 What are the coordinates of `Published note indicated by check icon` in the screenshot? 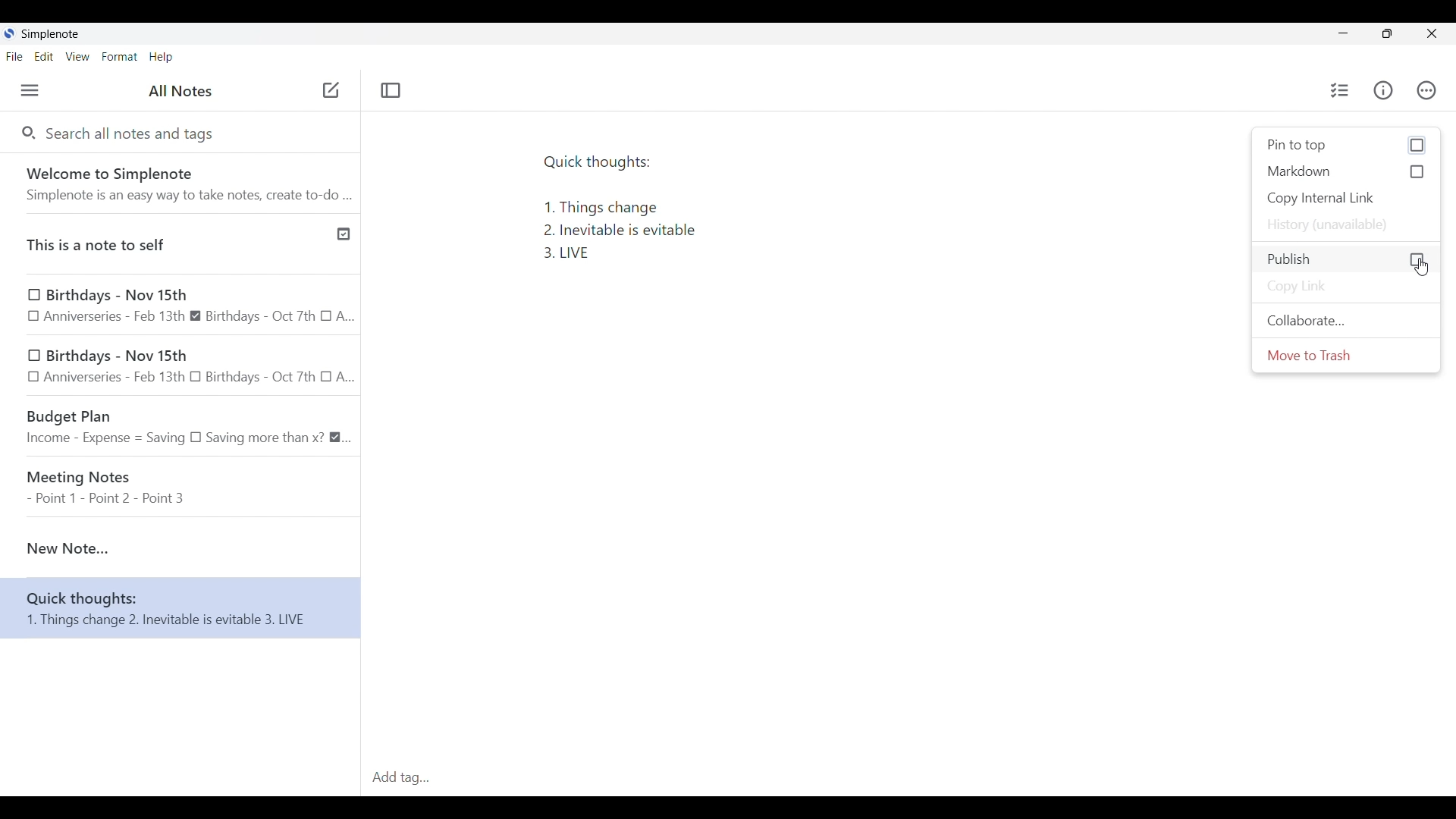 It's located at (183, 243).